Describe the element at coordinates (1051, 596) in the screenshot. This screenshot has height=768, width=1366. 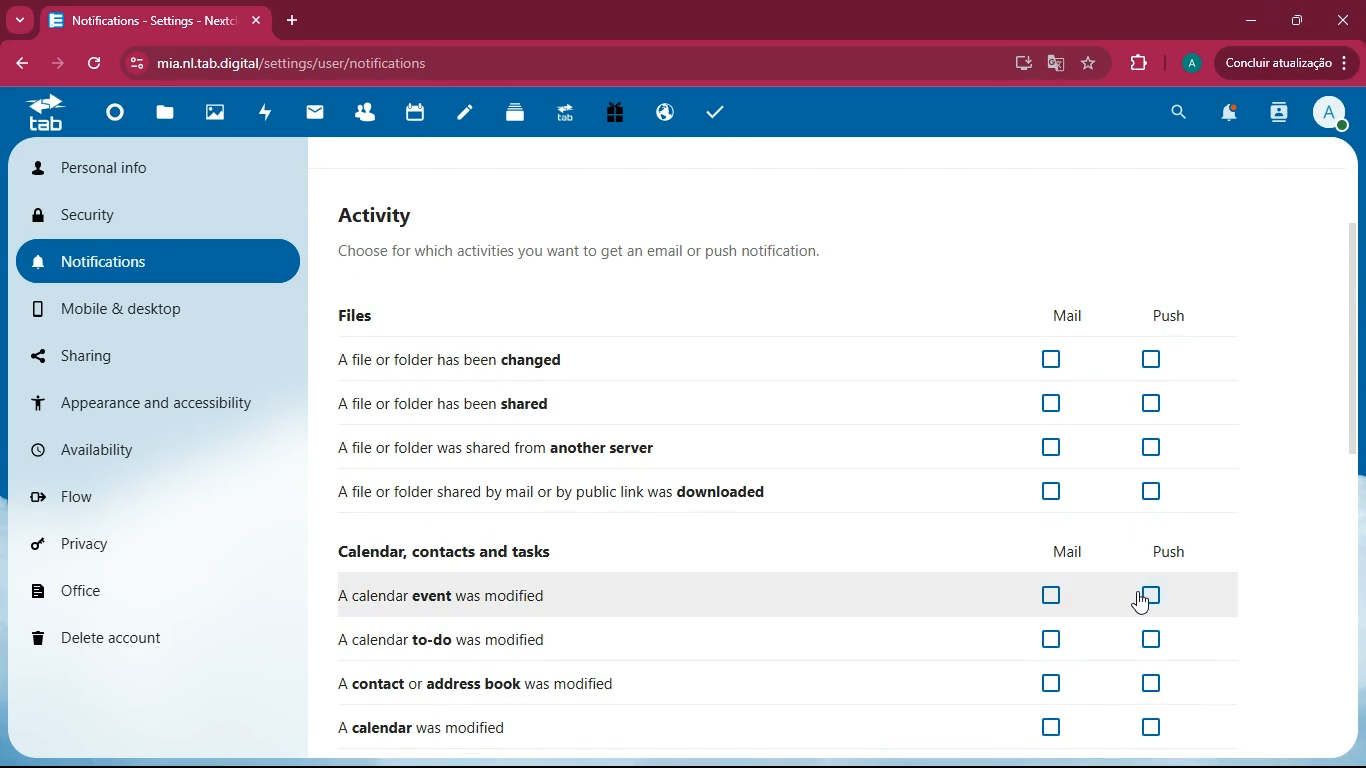
I see `off` at that location.